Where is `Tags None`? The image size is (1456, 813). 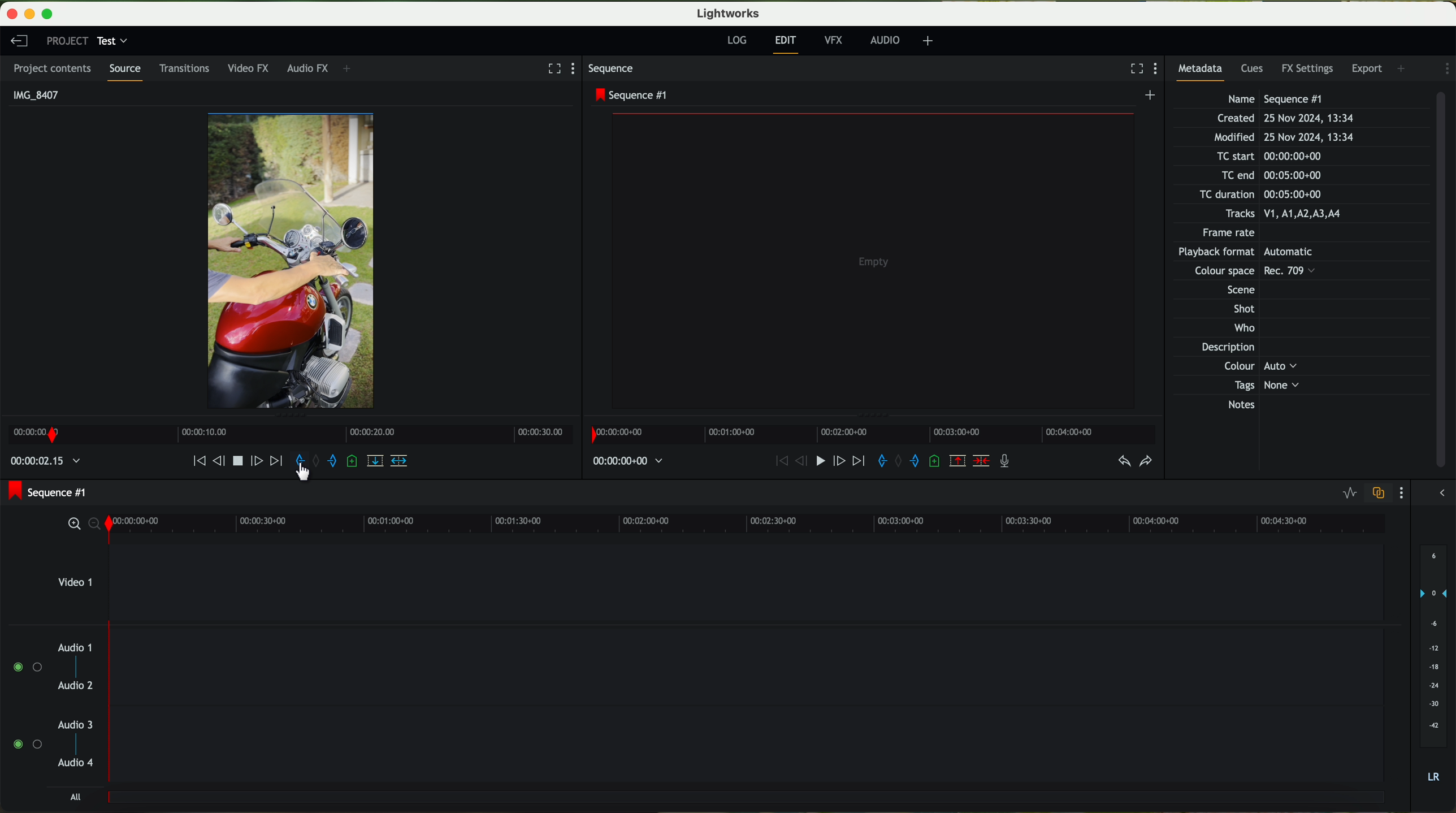 Tags None is located at coordinates (1263, 385).